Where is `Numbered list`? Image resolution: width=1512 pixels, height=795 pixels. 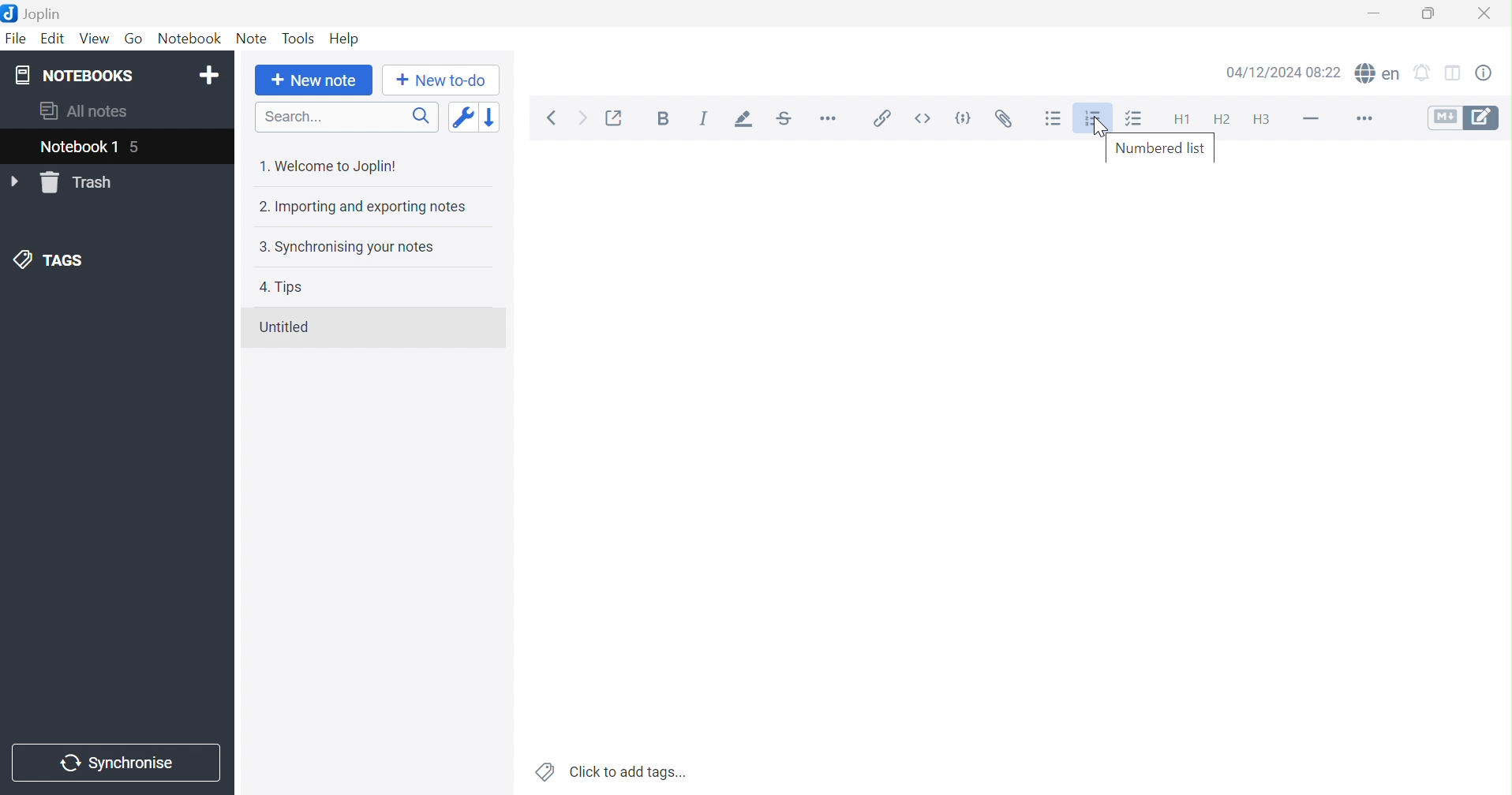
Numbered list is located at coordinates (1093, 120).